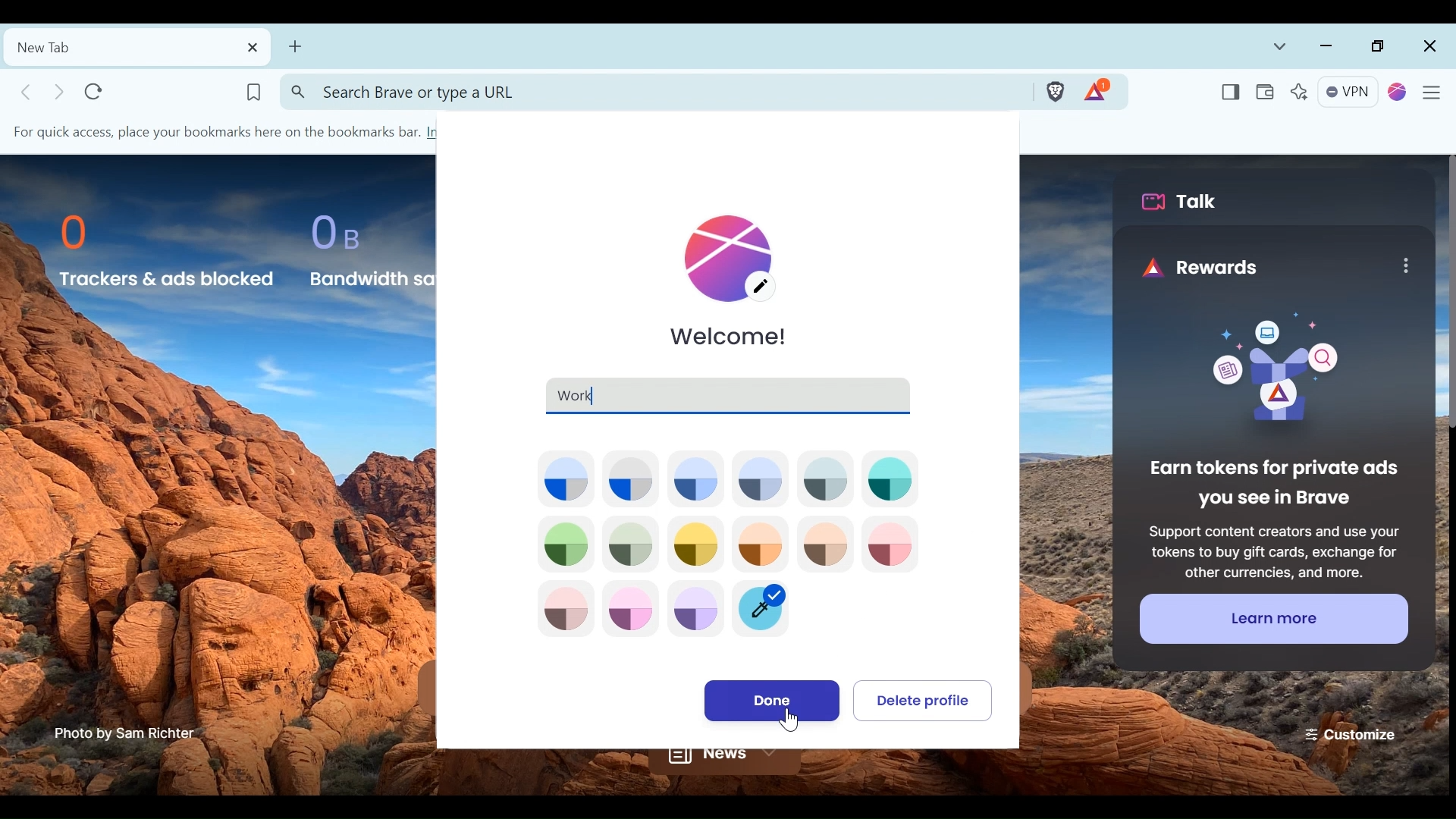  What do you see at coordinates (632, 479) in the screenshot?
I see `Theme` at bounding box center [632, 479].